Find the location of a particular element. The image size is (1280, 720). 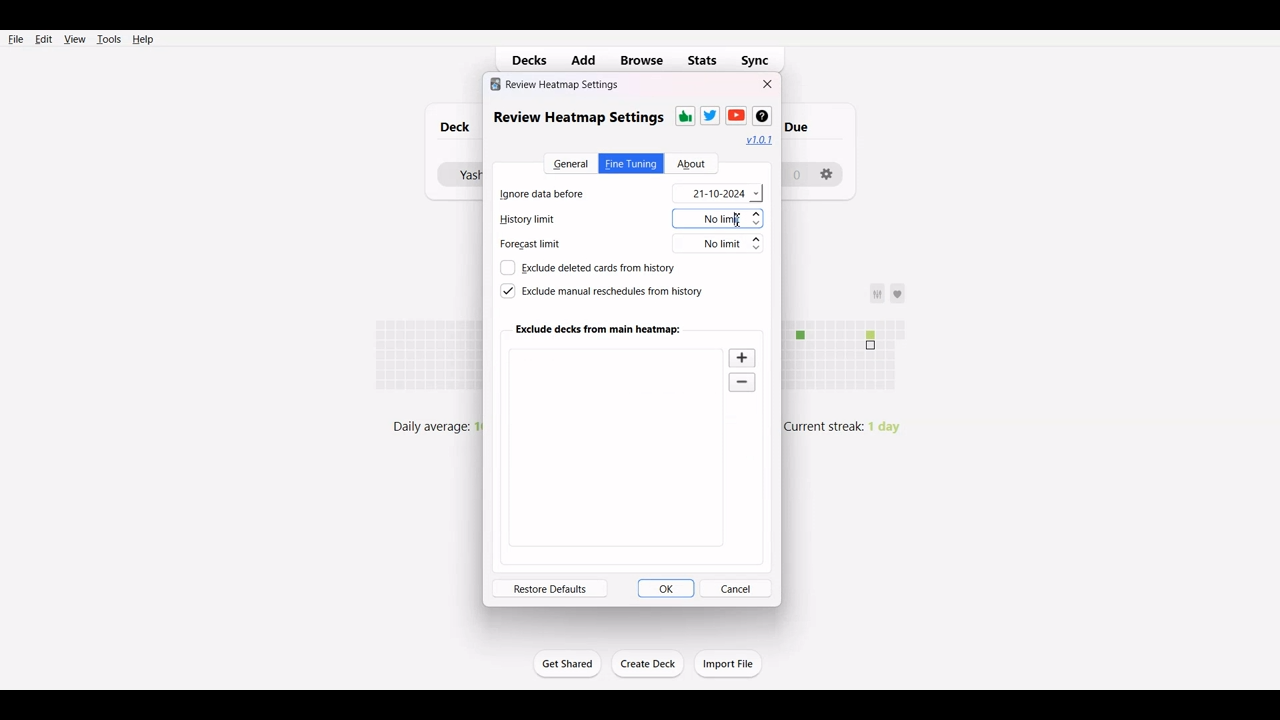

No limit  is located at coordinates (722, 244).